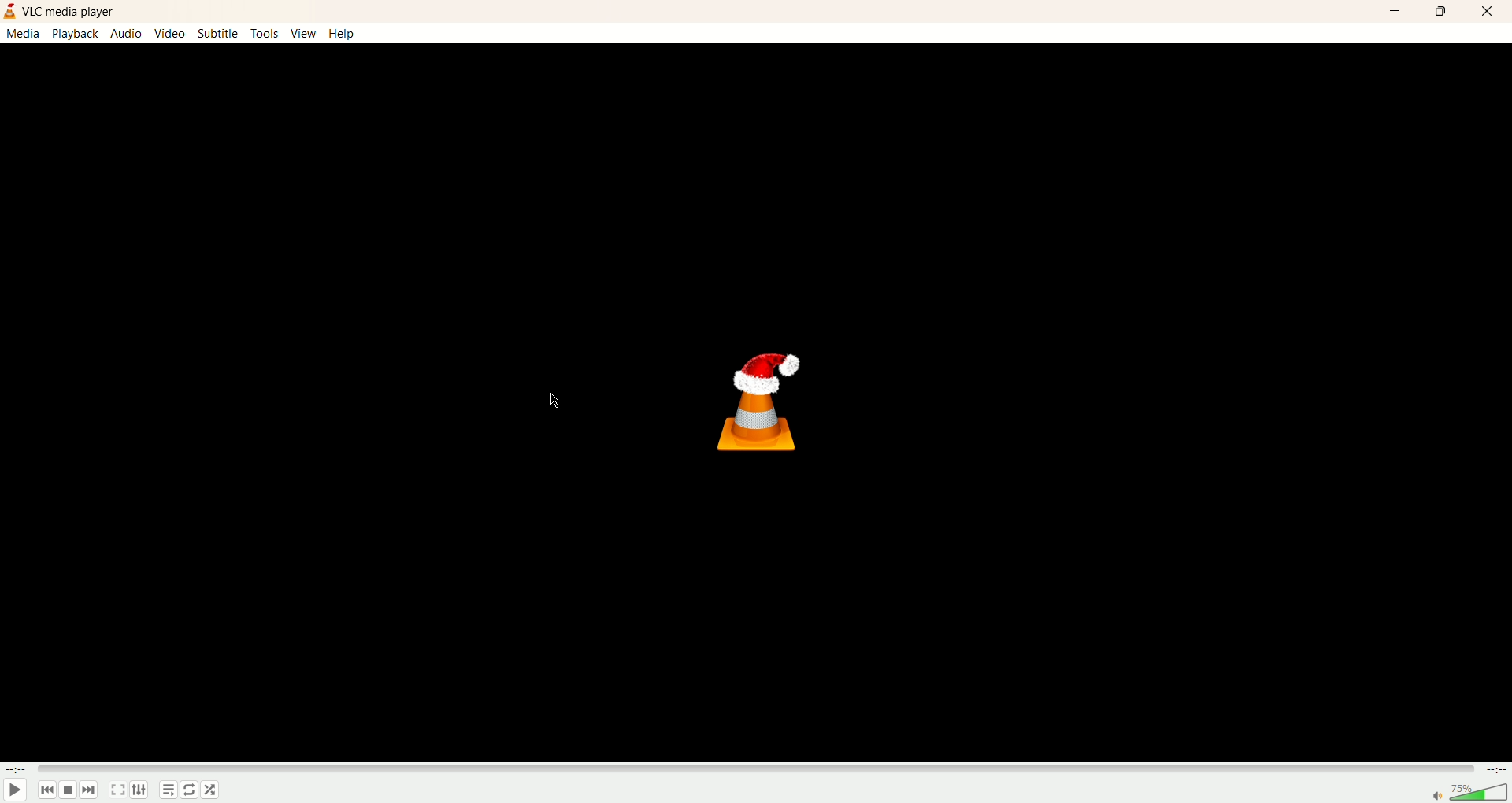 The width and height of the screenshot is (1512, 803). I want to click on stop, so click(69, 790).